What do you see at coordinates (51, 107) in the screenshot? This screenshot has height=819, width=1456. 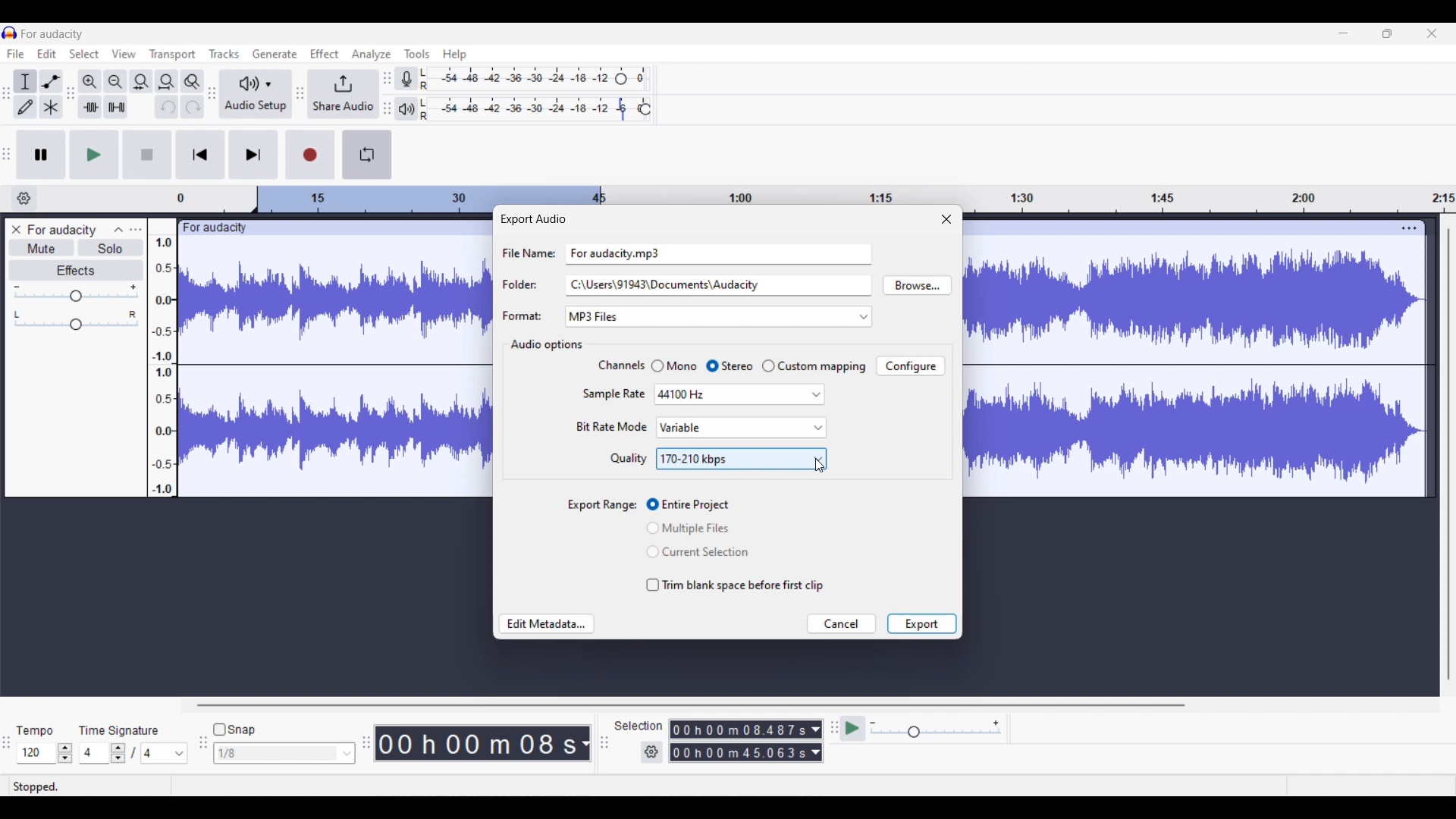 I see `Multi-tool` at bounding box center [51, 107].